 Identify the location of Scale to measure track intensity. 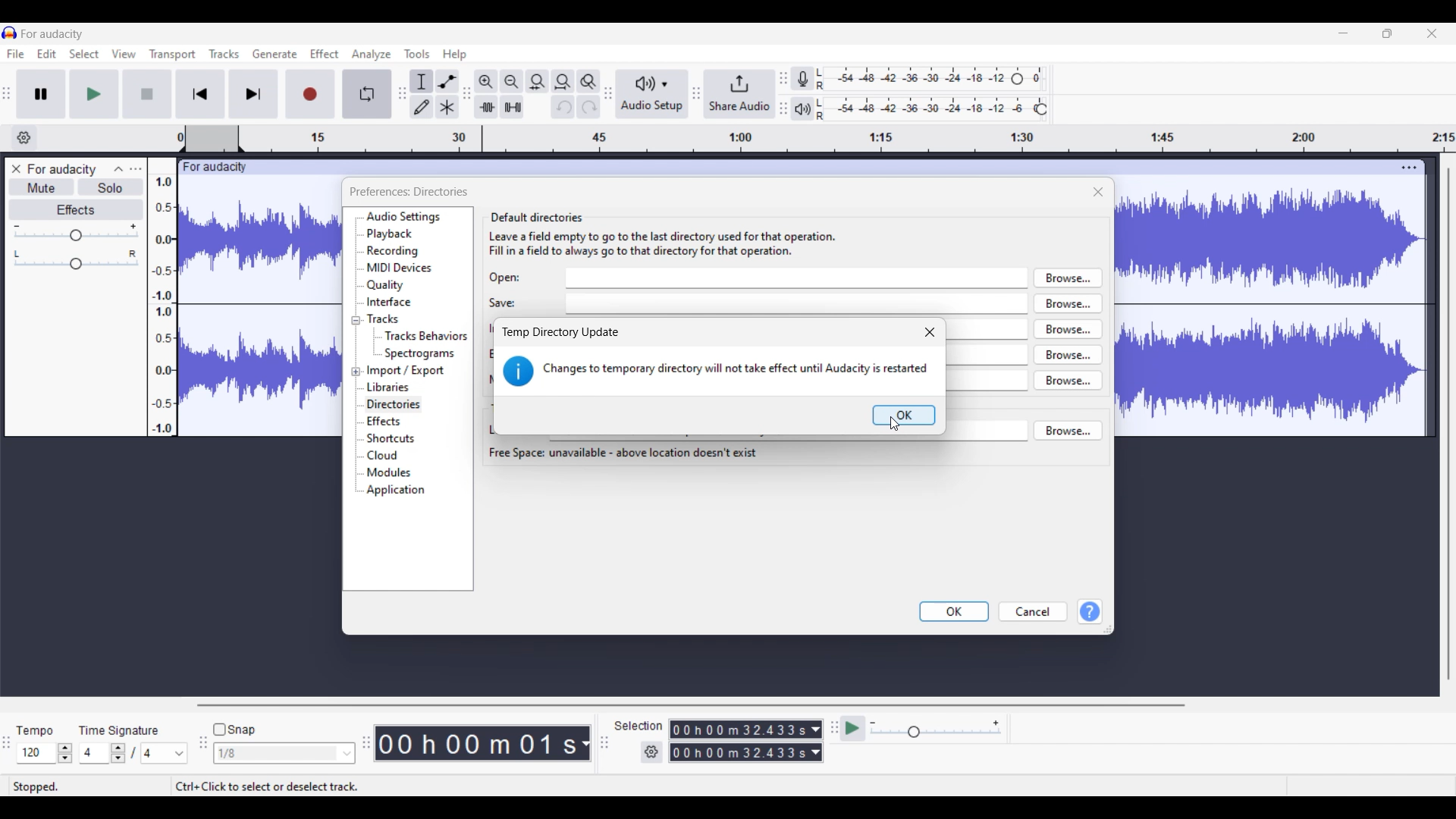
(162, 305).